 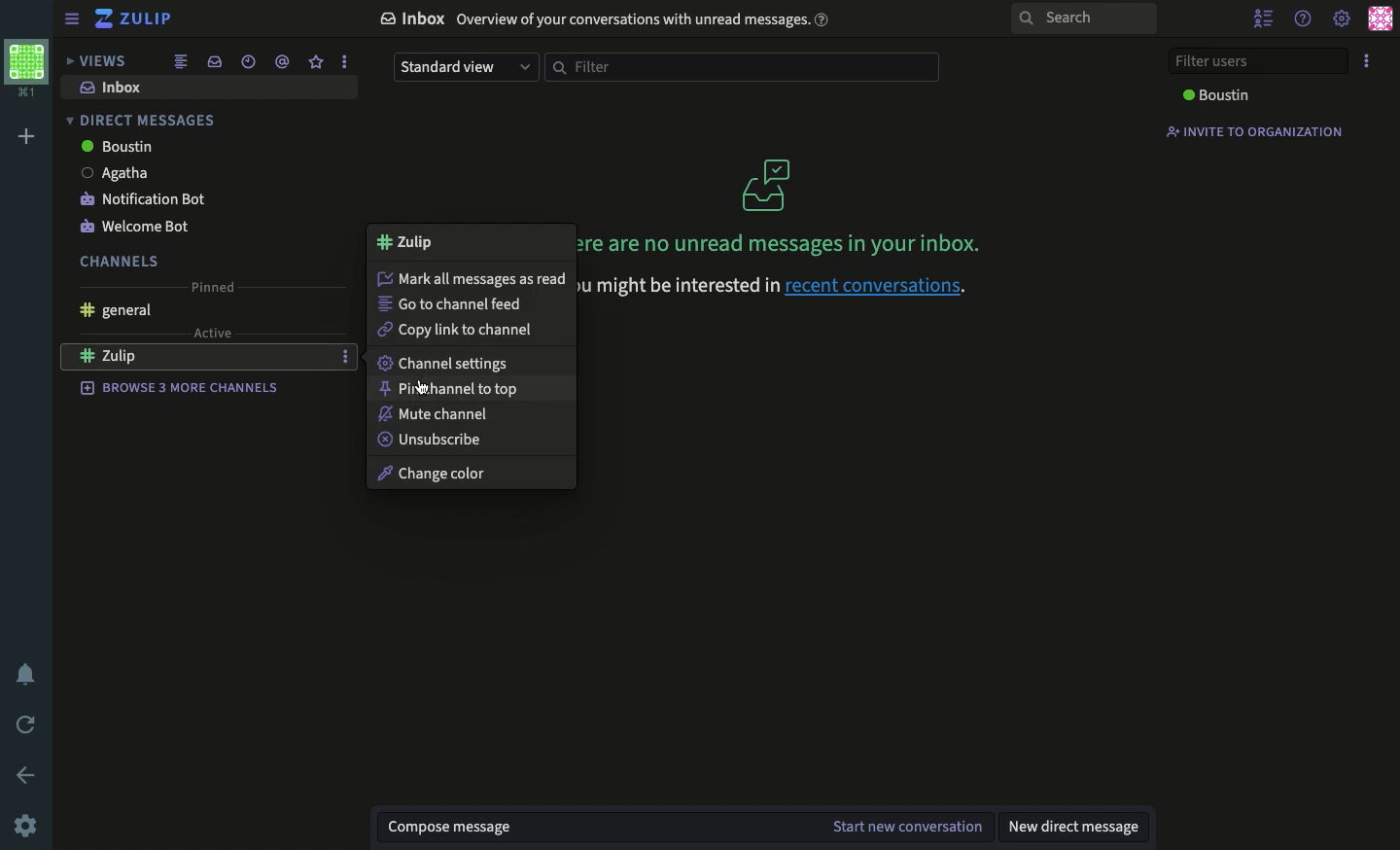 I want to click on you might be interested in, so click(x=677, y=286).